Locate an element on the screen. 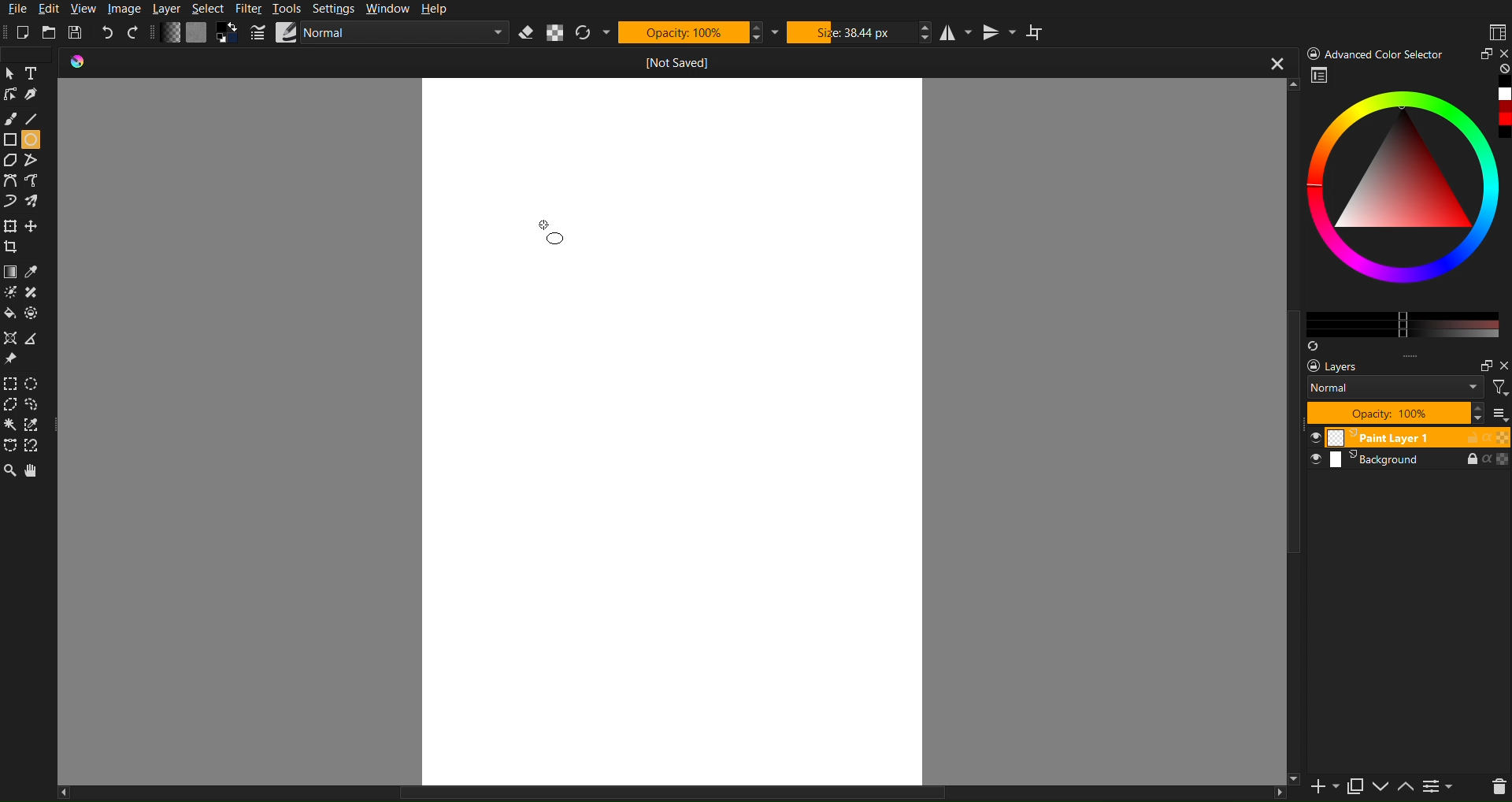  workspace is located at coordinates (1314, 72).